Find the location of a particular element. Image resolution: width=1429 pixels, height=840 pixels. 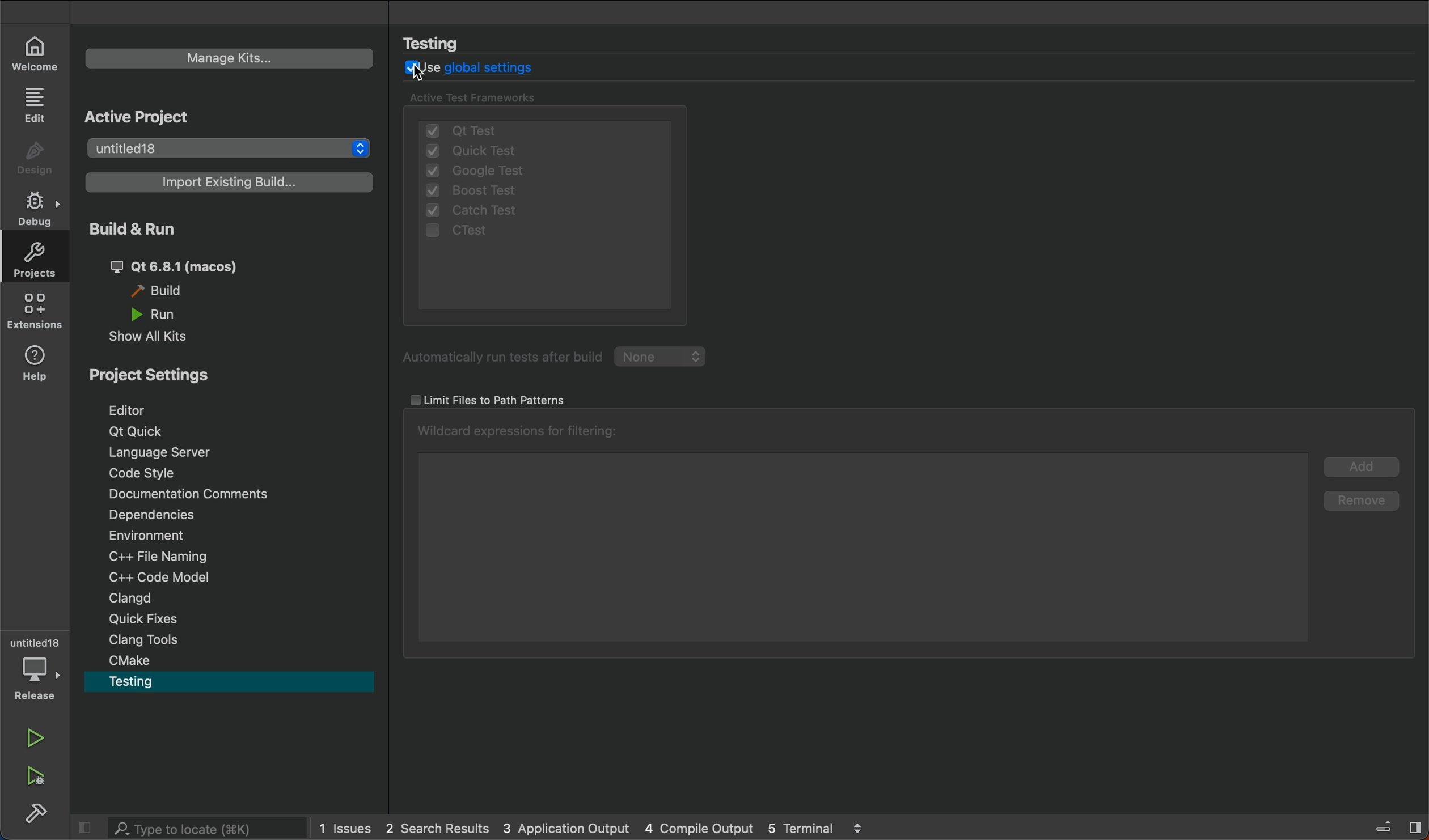

cmake is located at coordinates (230, 661).